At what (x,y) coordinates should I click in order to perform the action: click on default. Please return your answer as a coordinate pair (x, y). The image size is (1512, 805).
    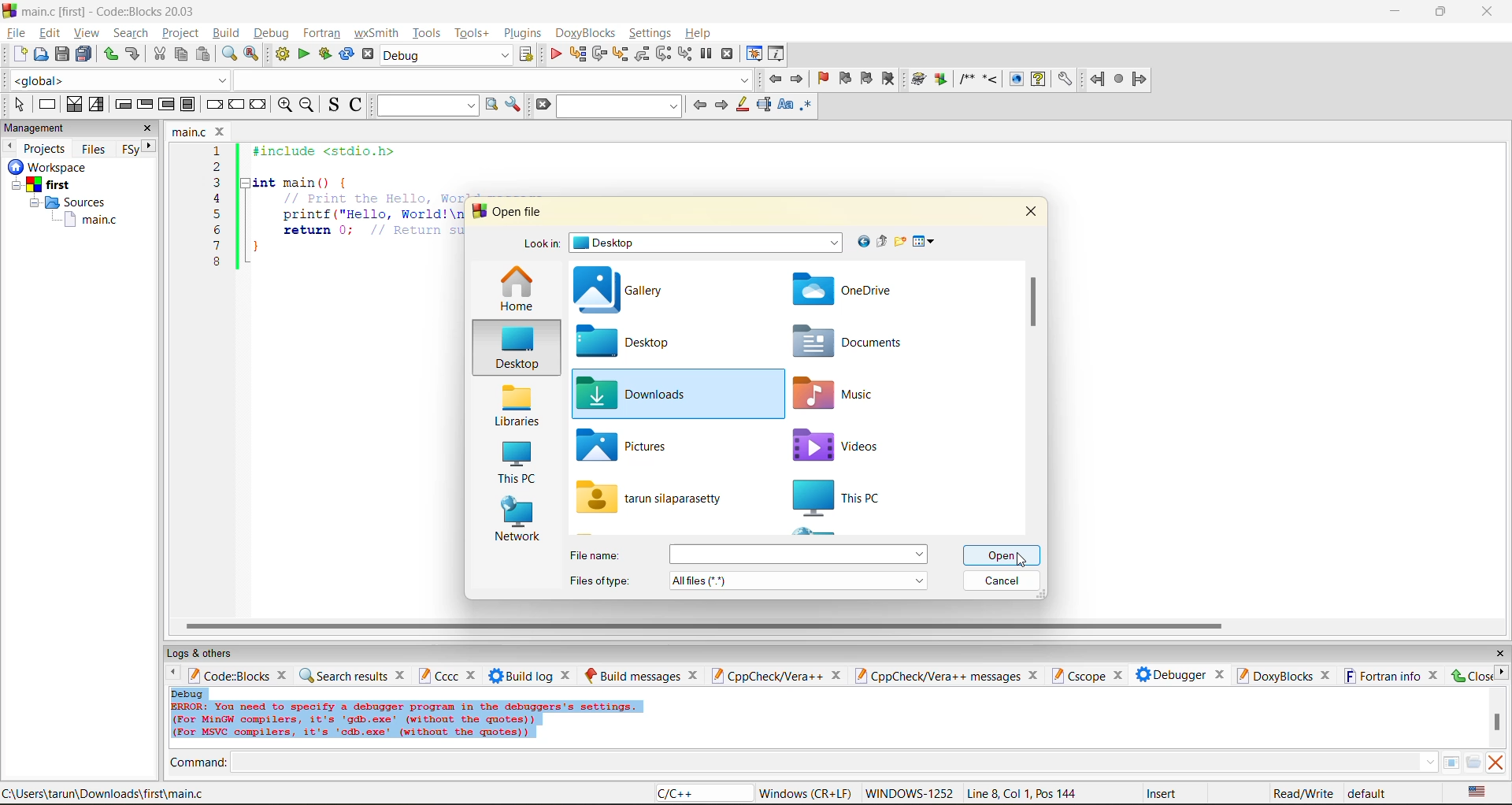
    Looking at the image, I should click on (1369, 792).